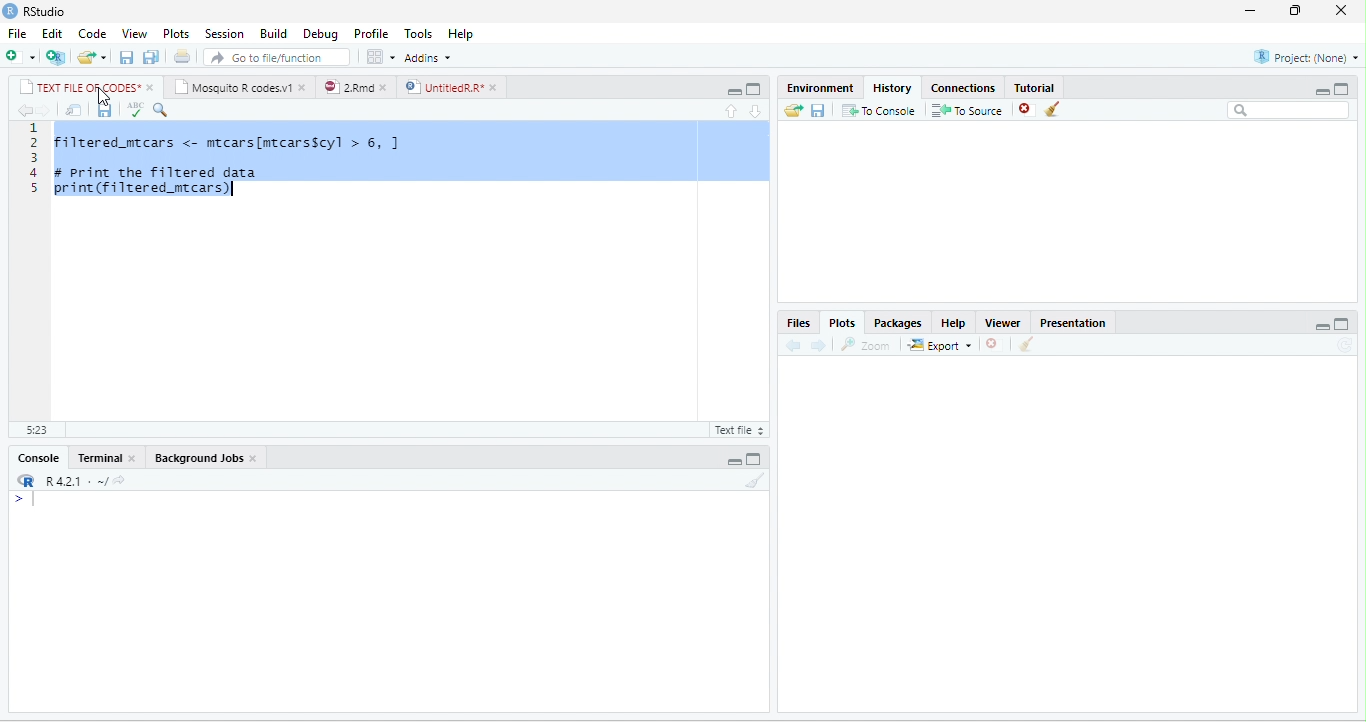 The image size is (1366, 722). I want to click on new file, so click(21, 56).